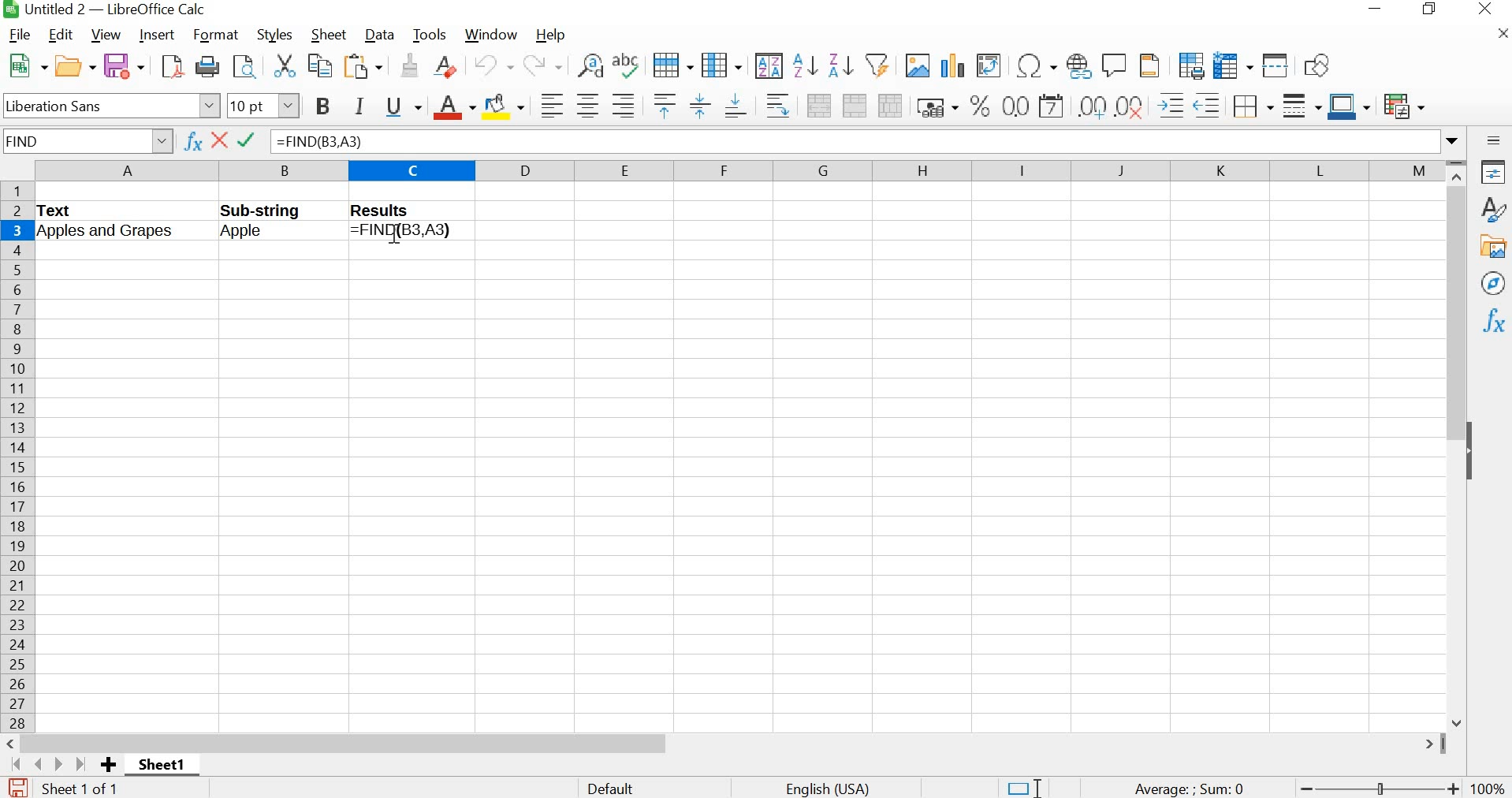 The image size is (1512, 798). What do you see at coordinates (1458, 444) in the screenshot?
I see `scrollbar` at bounding box center [1458, 444].